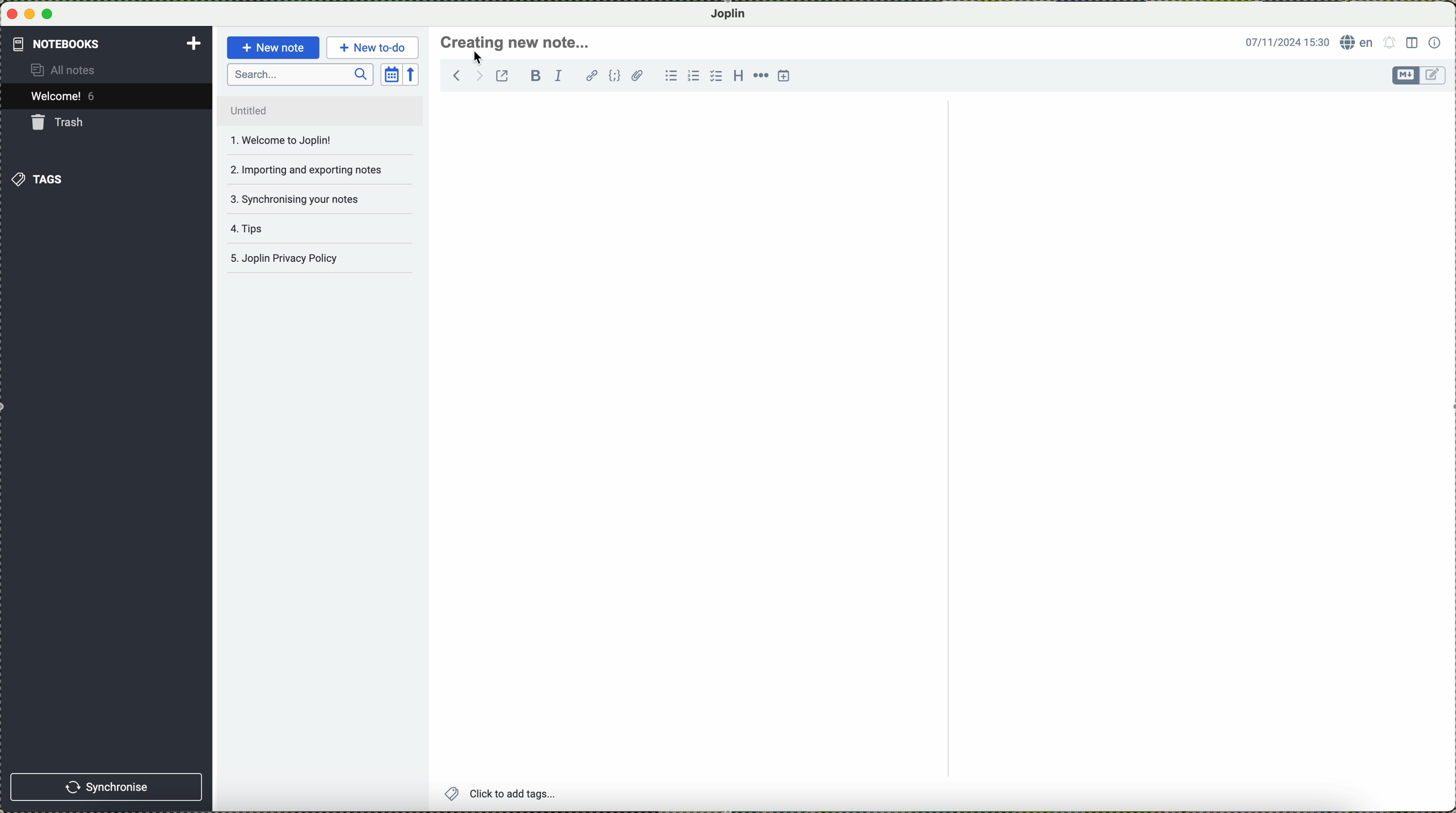 Image resolution: width=1456 pixels, height=813 pixels. Describe the element at coordinates (50, 14) in the screenshot. I see `maximize` at that location.